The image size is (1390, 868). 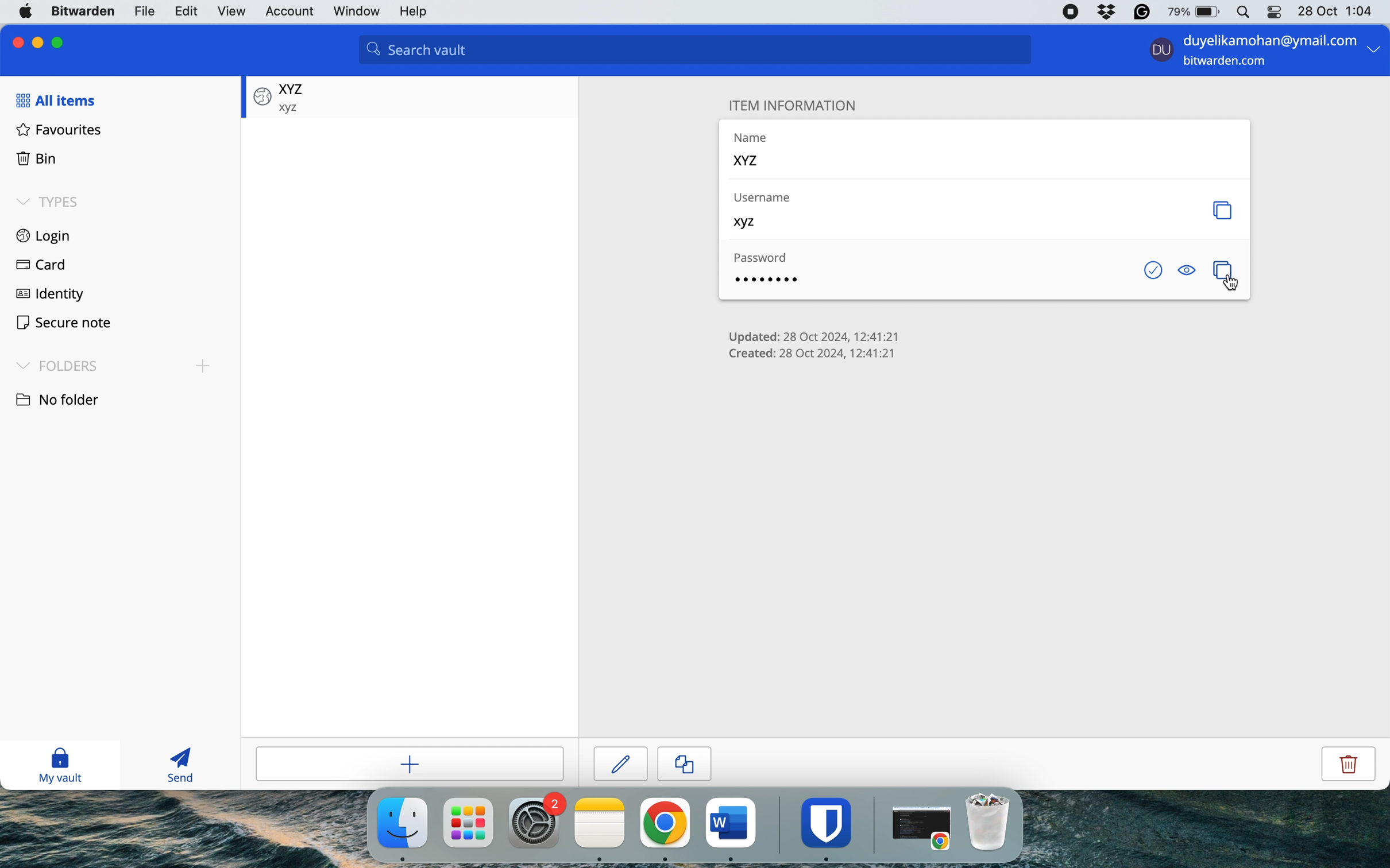 What do you see at coordinates (64, 324) in the screenshot?
I see `secure note` at bounding box center [64, 324].